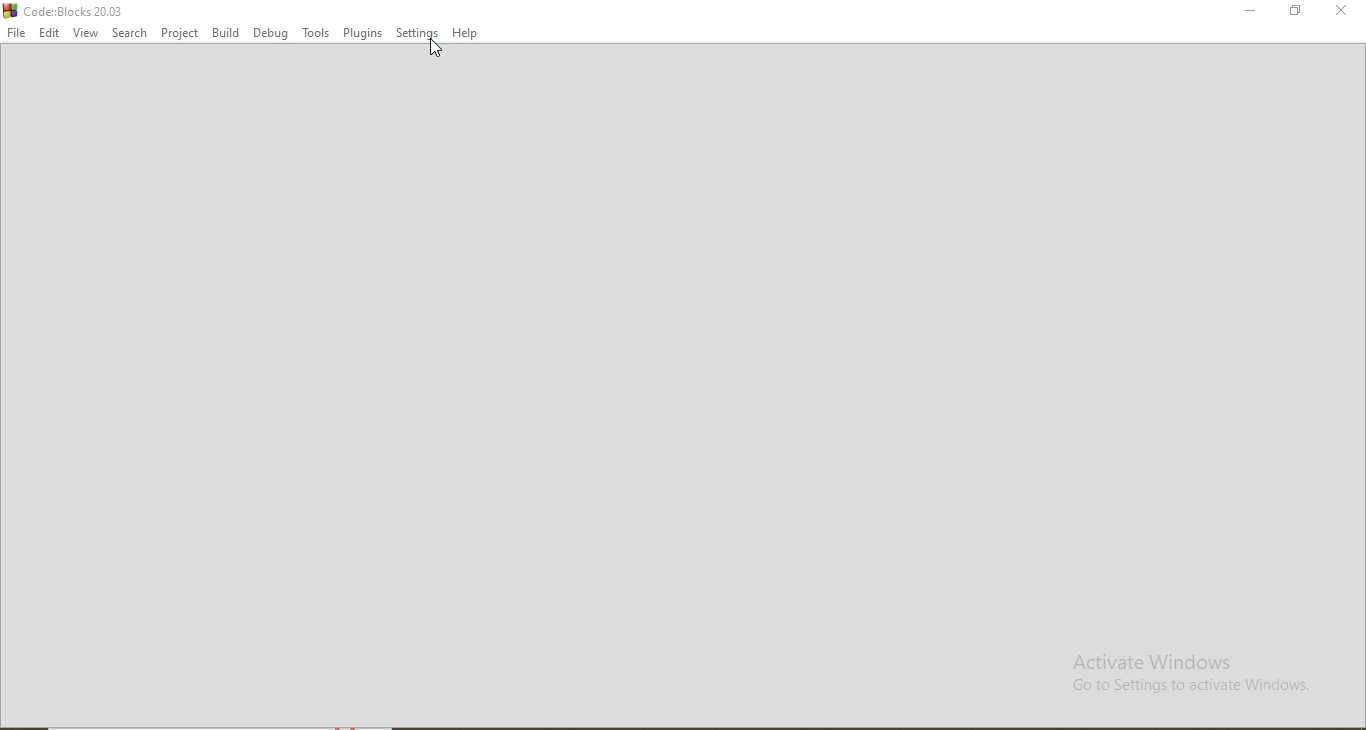 The image size is (1366, 730). I want to click on Restore, so click(1293, 13).